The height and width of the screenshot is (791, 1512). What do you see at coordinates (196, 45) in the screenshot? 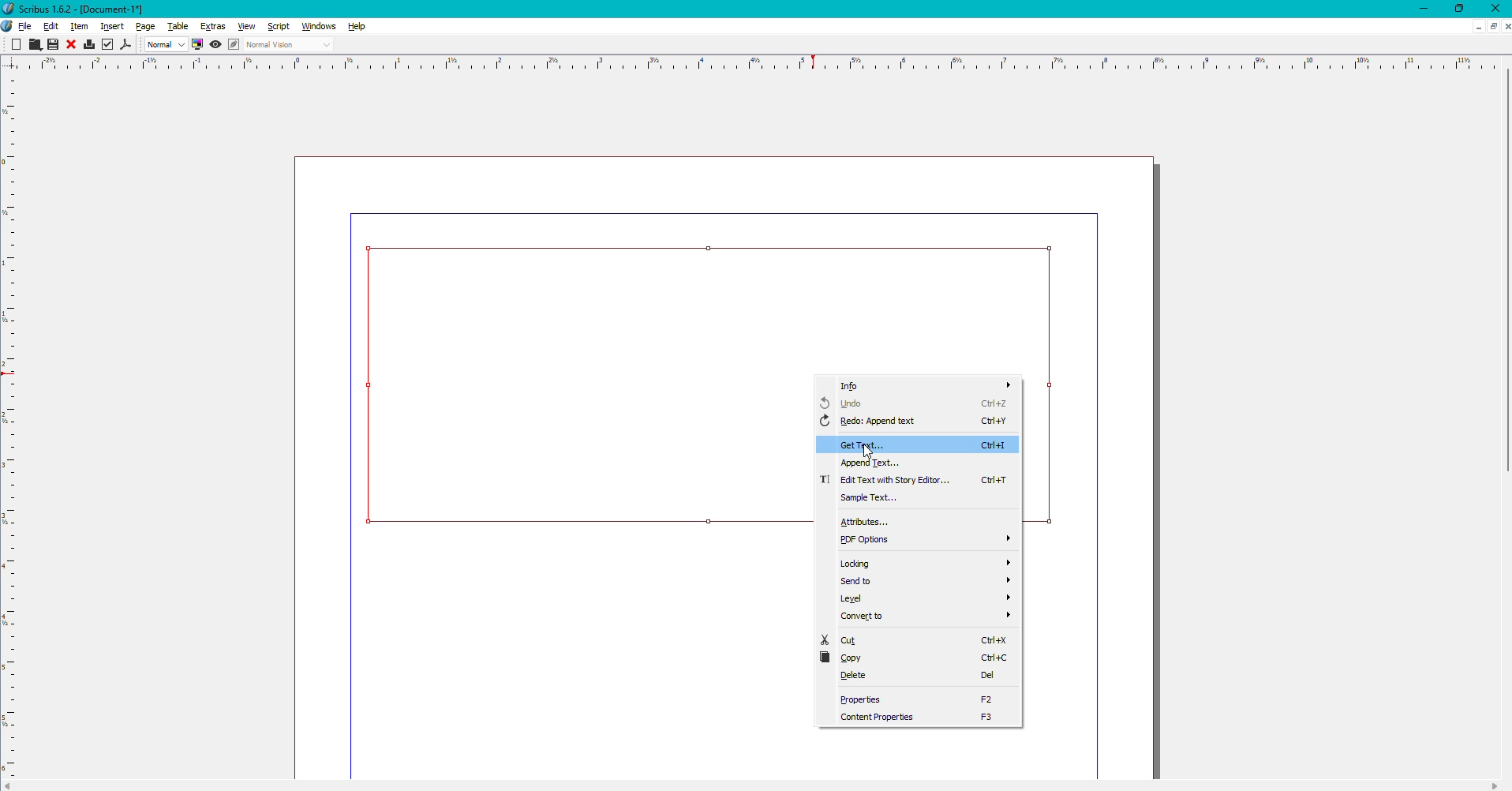
I see `Display` at bounding box center [196, 45].